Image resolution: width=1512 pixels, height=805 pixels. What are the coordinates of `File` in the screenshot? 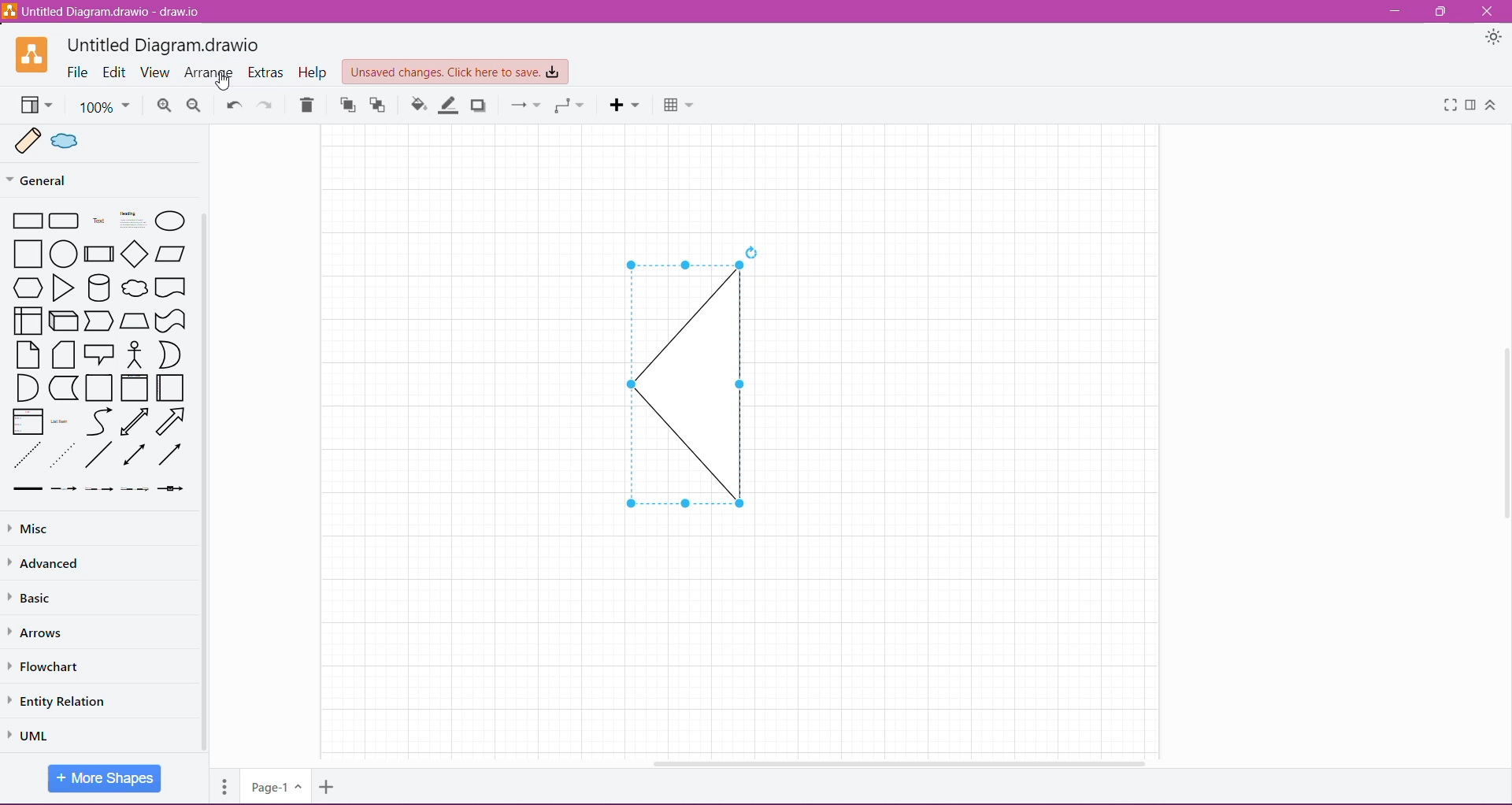 It's located at (77, 72).